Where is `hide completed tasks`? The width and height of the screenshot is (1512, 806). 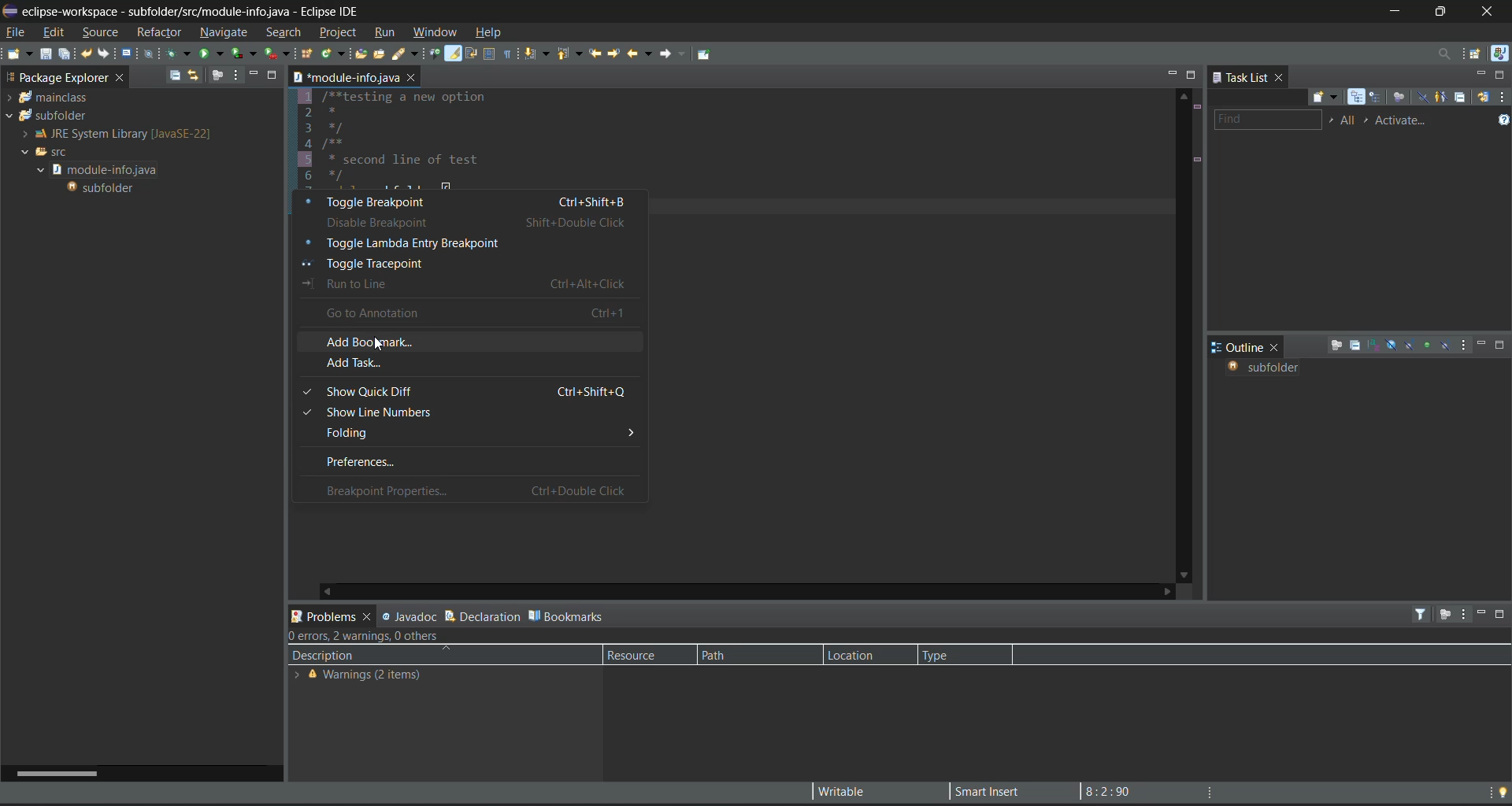
hide completed tasks is located at coordinates (1423, 98).